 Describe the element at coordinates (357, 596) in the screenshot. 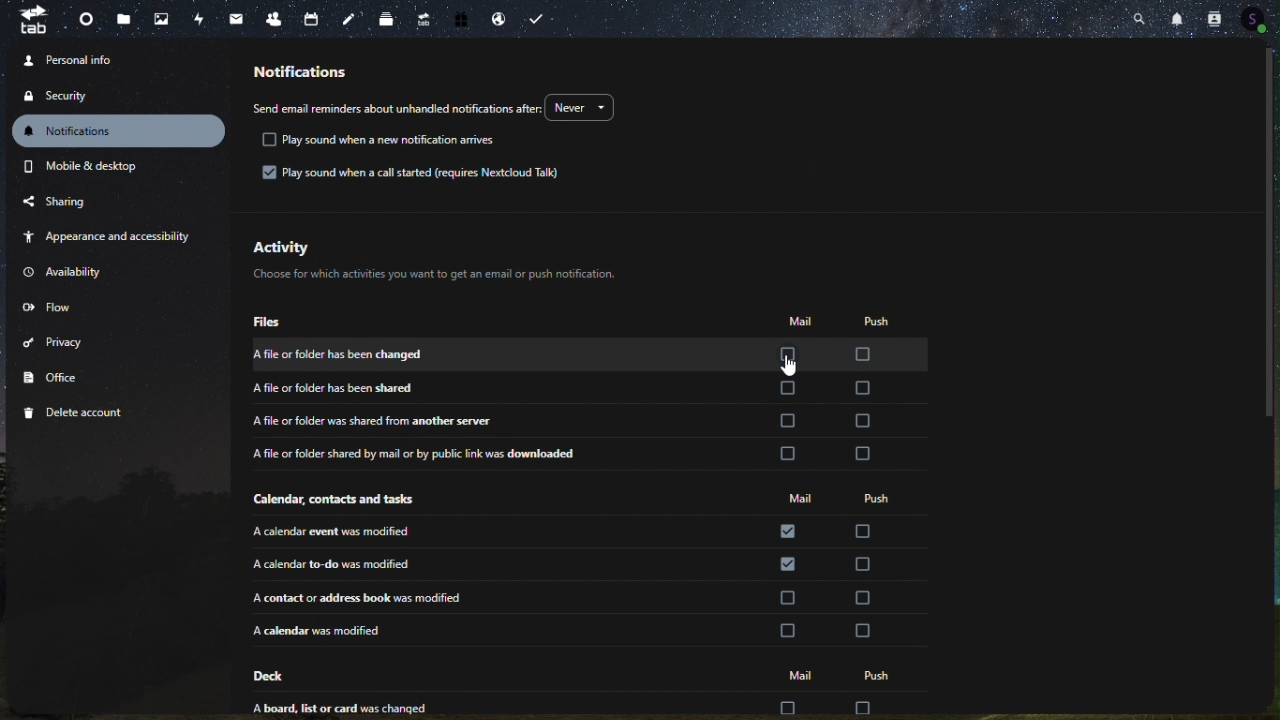

I see `a contact or address book was modified` at that location.